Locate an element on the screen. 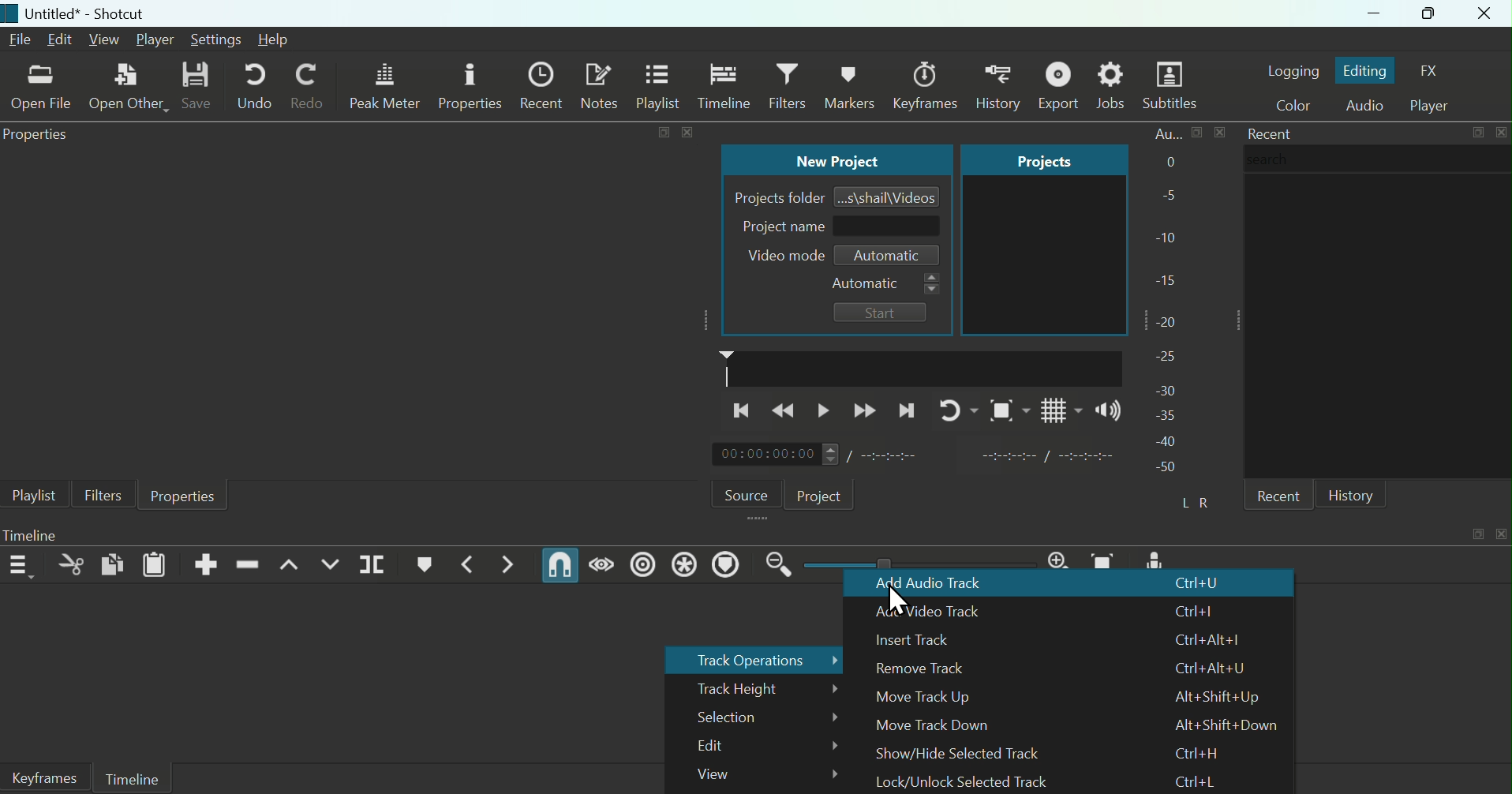 The image size is (1512, 794). Ctrl+L is located at coordinates (1197, 779).